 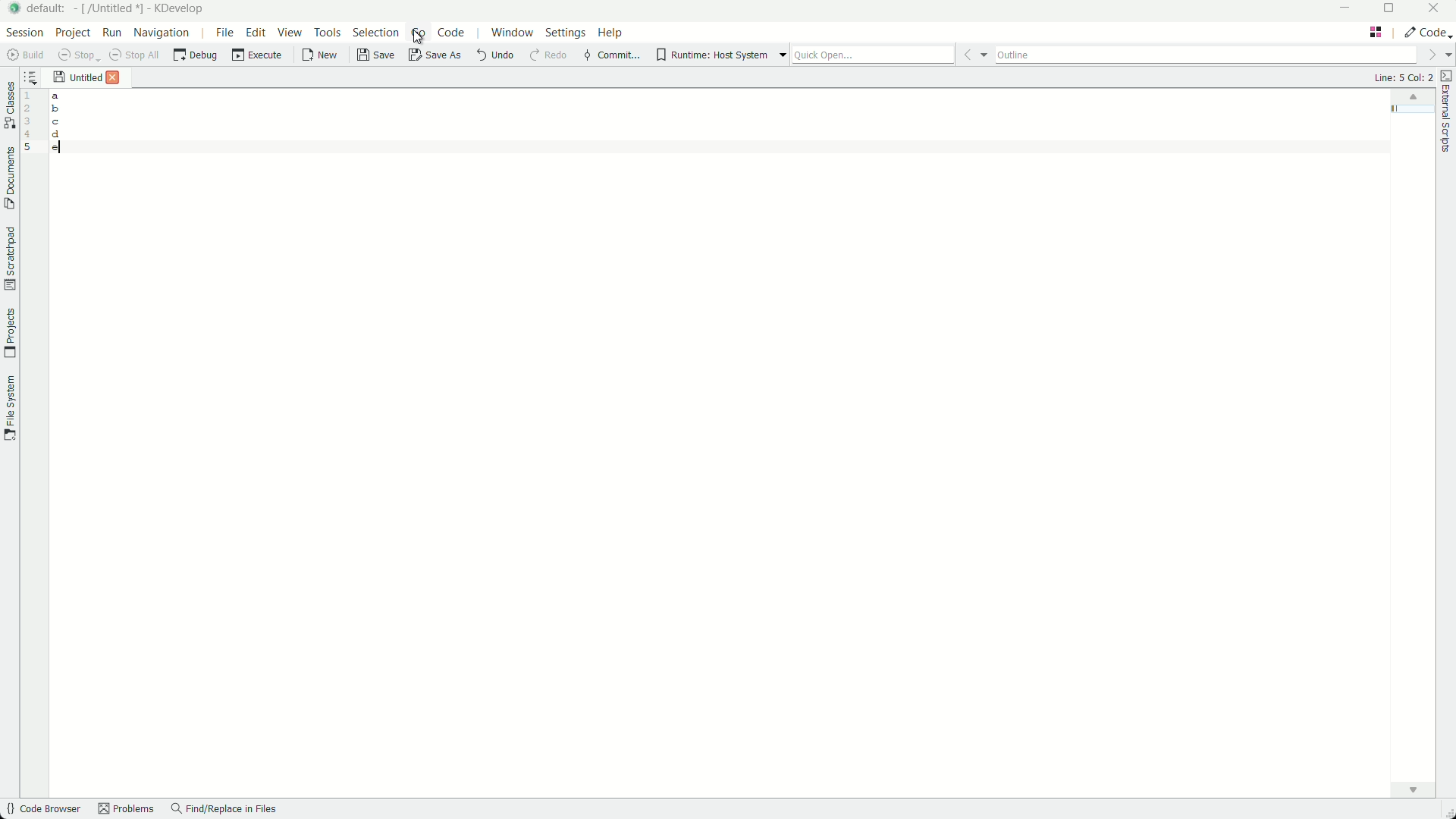 What do you see at coordinates (611, 55) in the screenshot?
I see `commit` at bounding box center [611, 55].